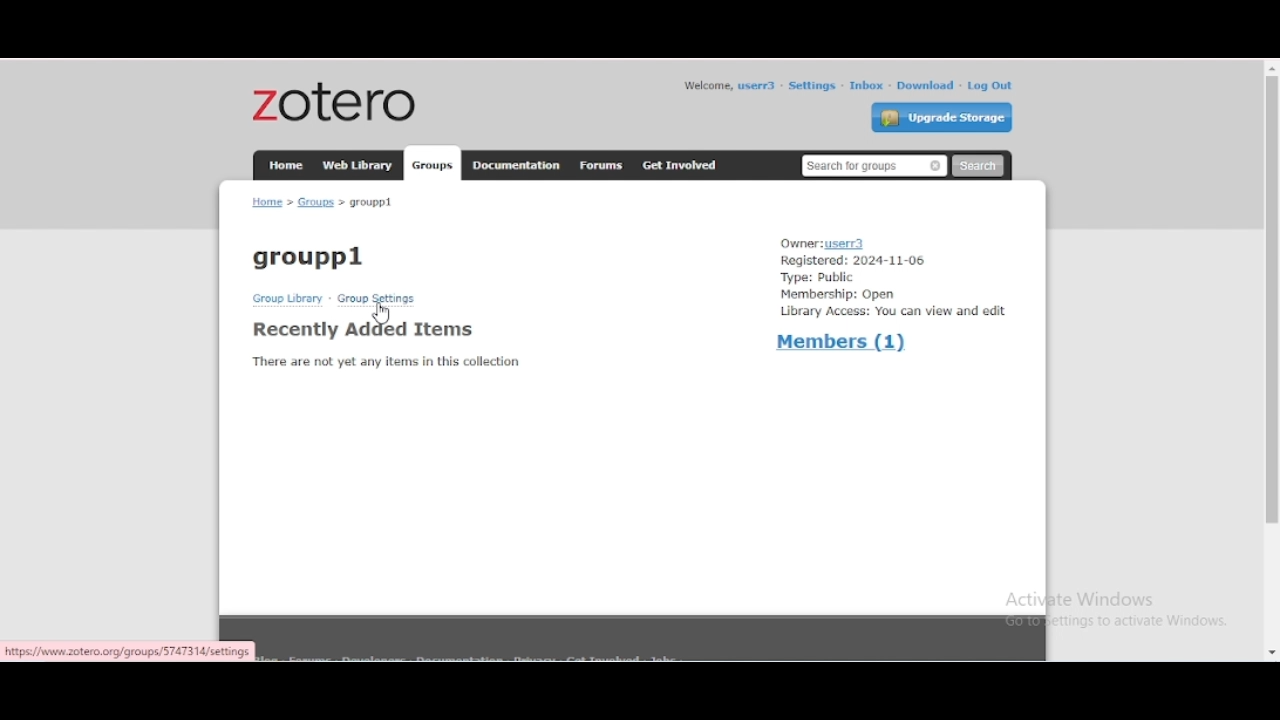 The image size is (1280, 720). I want to click on registered date, so click(854, 260).